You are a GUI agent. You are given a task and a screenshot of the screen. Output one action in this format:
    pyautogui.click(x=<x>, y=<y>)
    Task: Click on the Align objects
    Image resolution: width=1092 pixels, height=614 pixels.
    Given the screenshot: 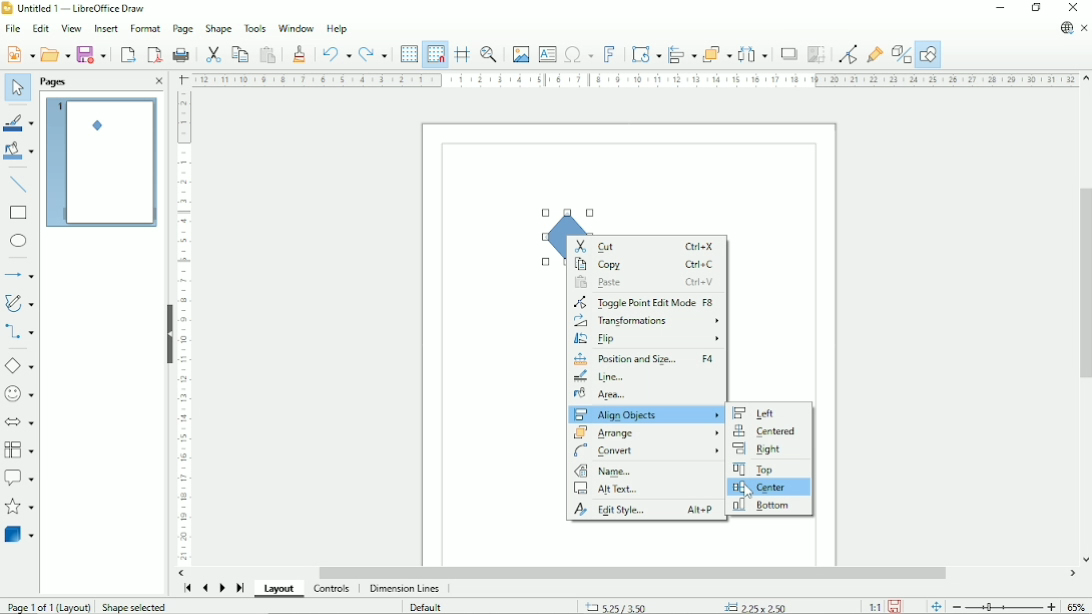 What is the action you would take?
    pyautogui.click(x=646, y=415)
    